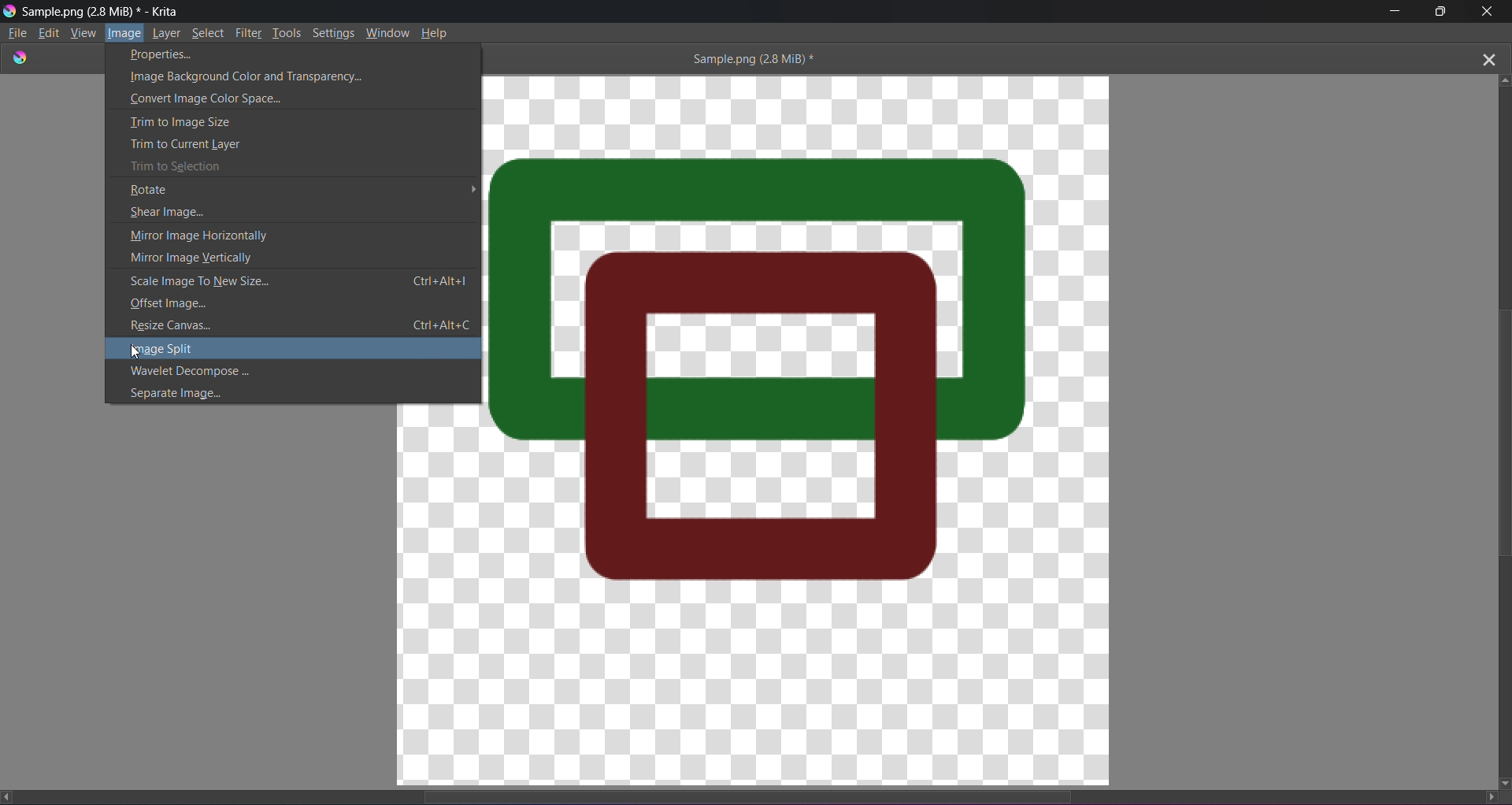 The image size is (1512, 805). I want to click on Stear Image, so click(295, 210).